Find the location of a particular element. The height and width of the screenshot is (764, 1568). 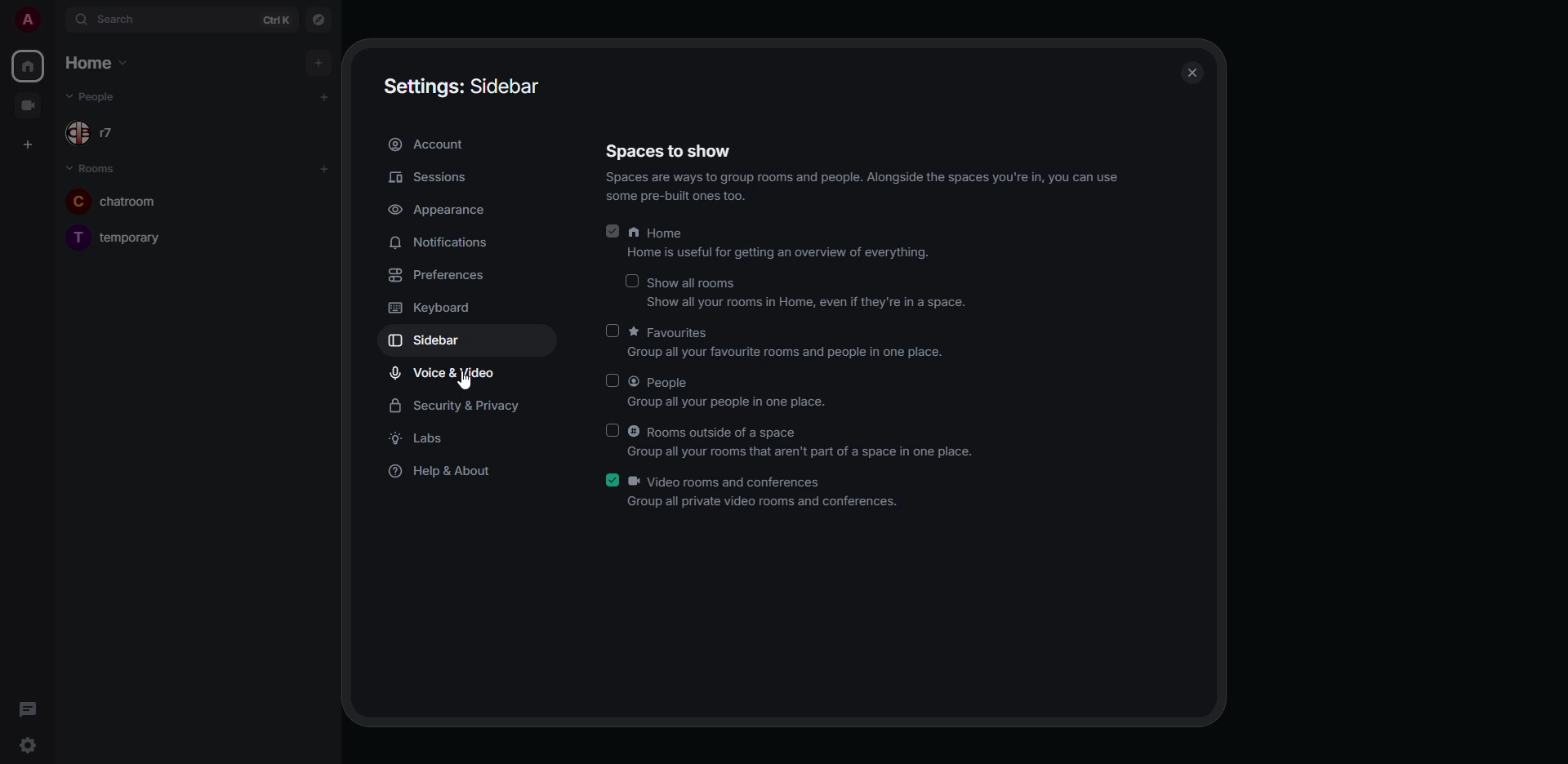

settings sidebar is located at coordinates (457, 83).